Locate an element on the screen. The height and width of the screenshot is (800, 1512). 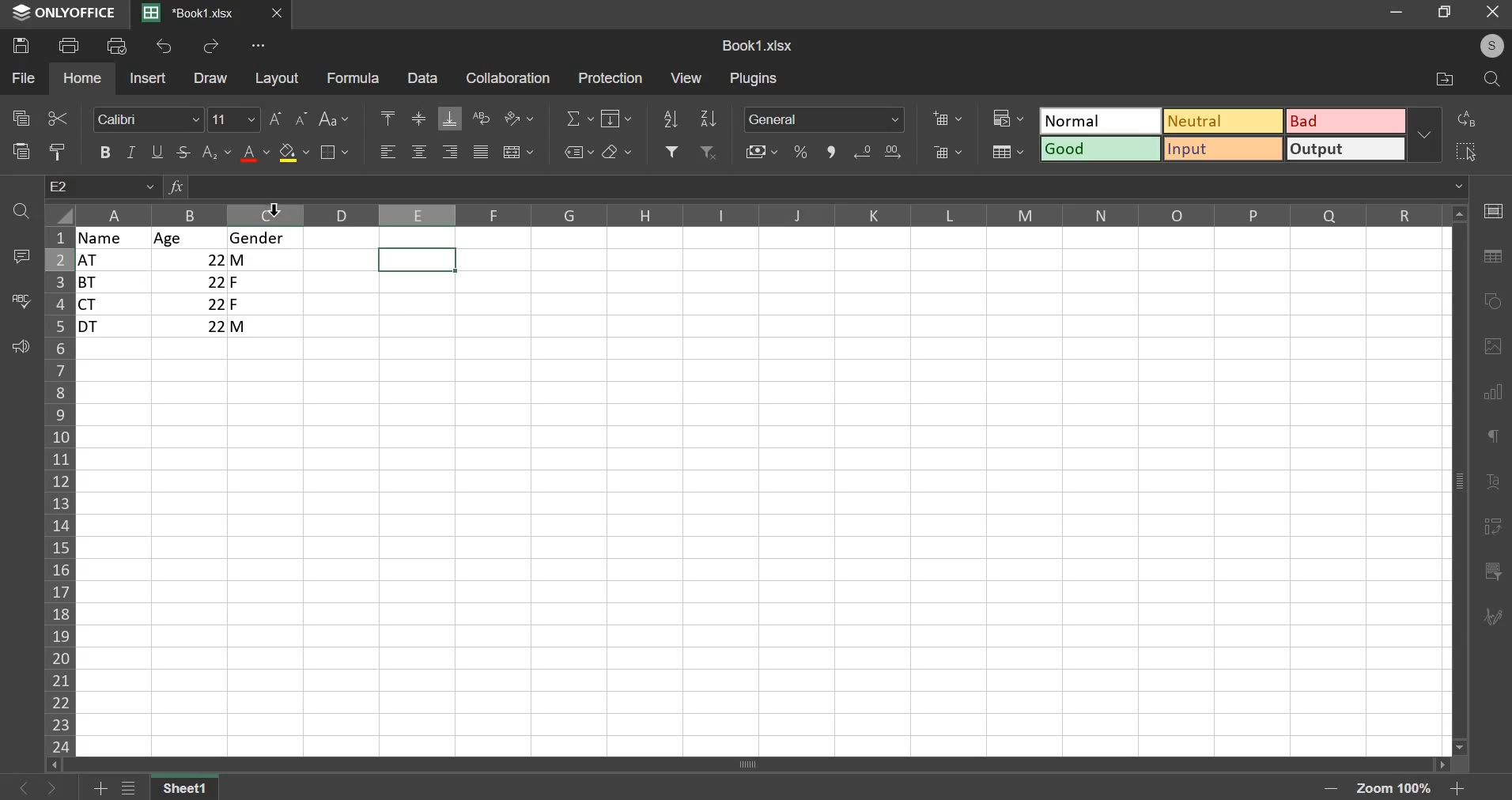
fill is located at coordinates (615, 119).